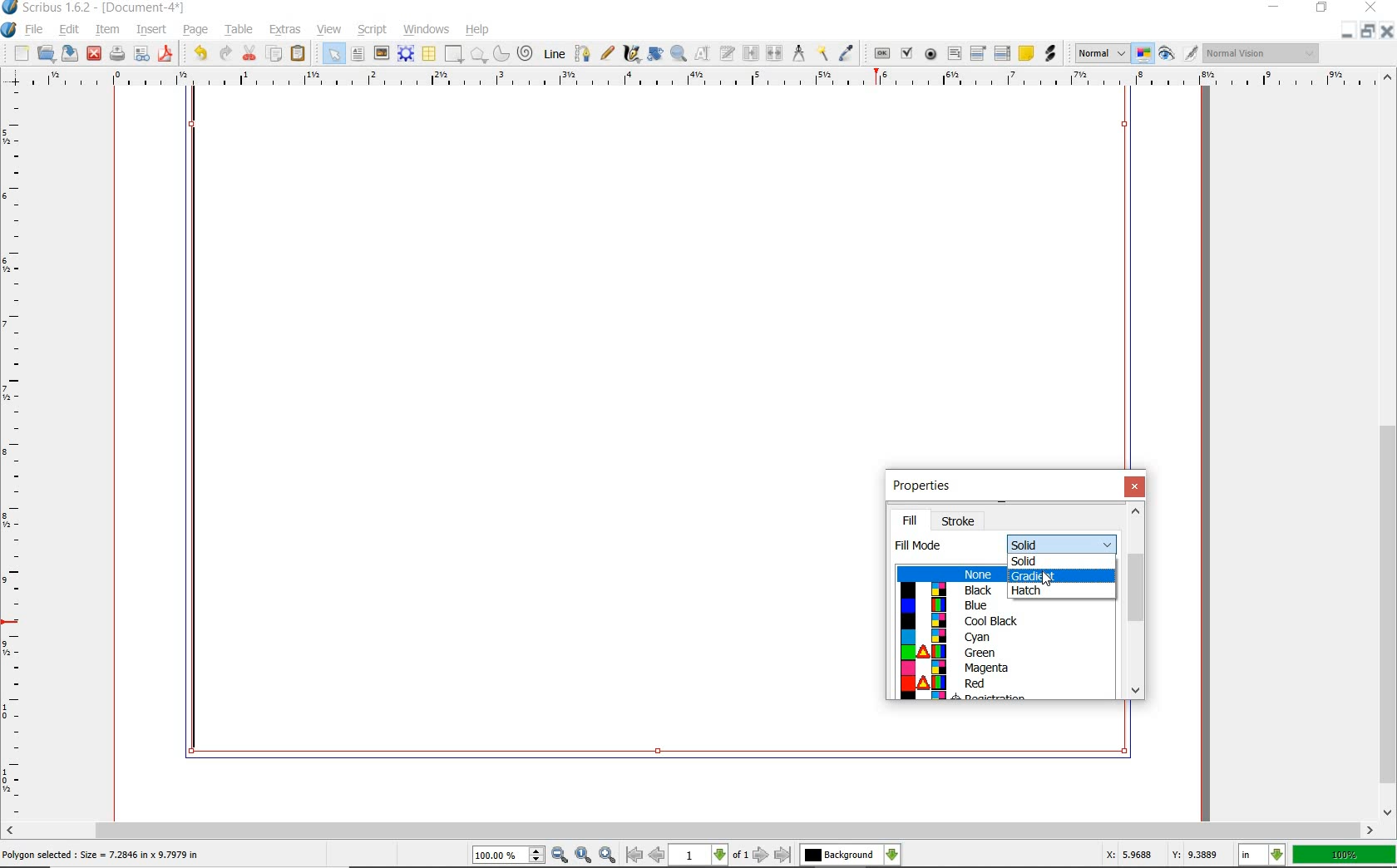 The width and height of the screenshot is (1397, 868). I want to click on system icon, so click(9, 29).